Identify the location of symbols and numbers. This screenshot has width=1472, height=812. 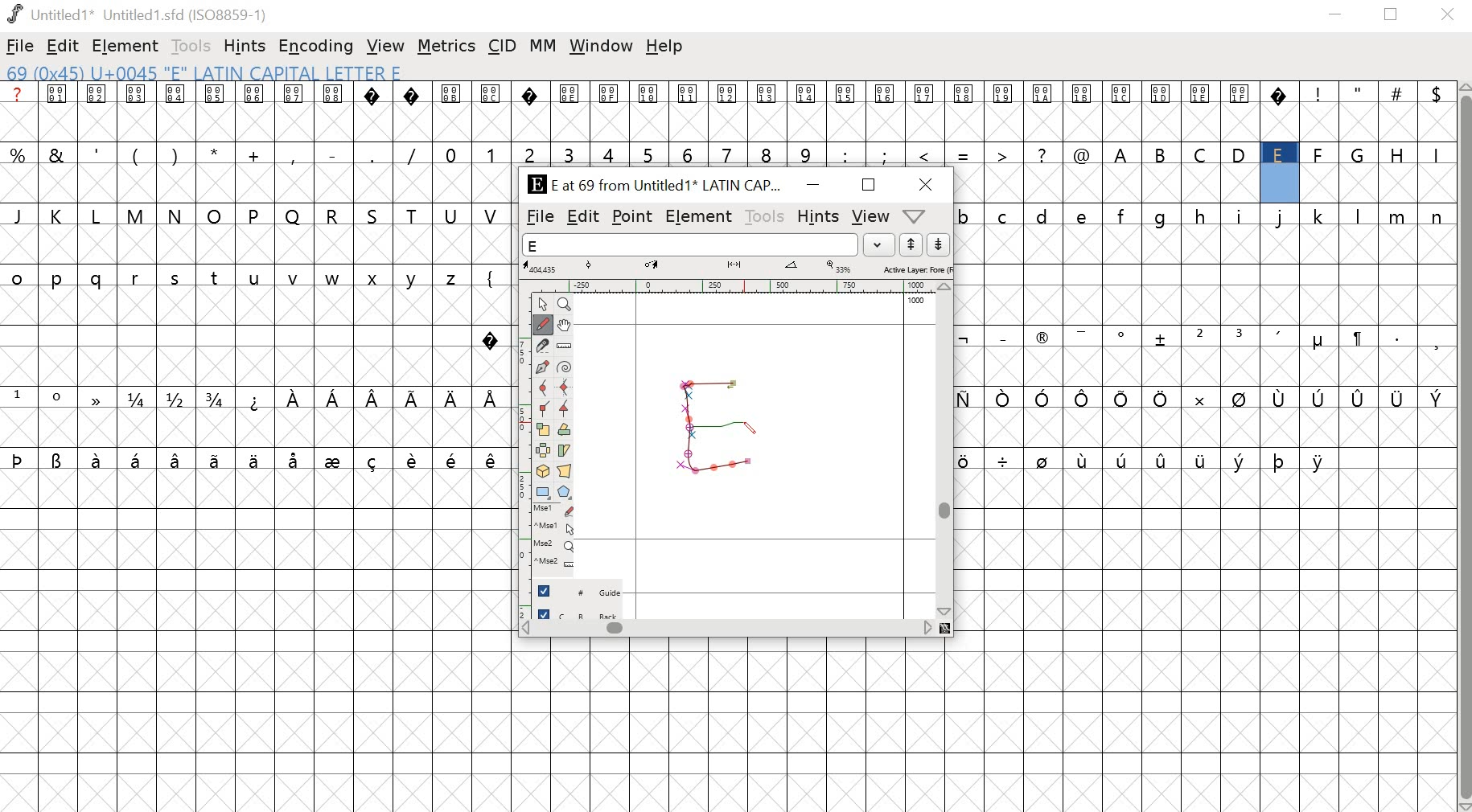
(549, 154).